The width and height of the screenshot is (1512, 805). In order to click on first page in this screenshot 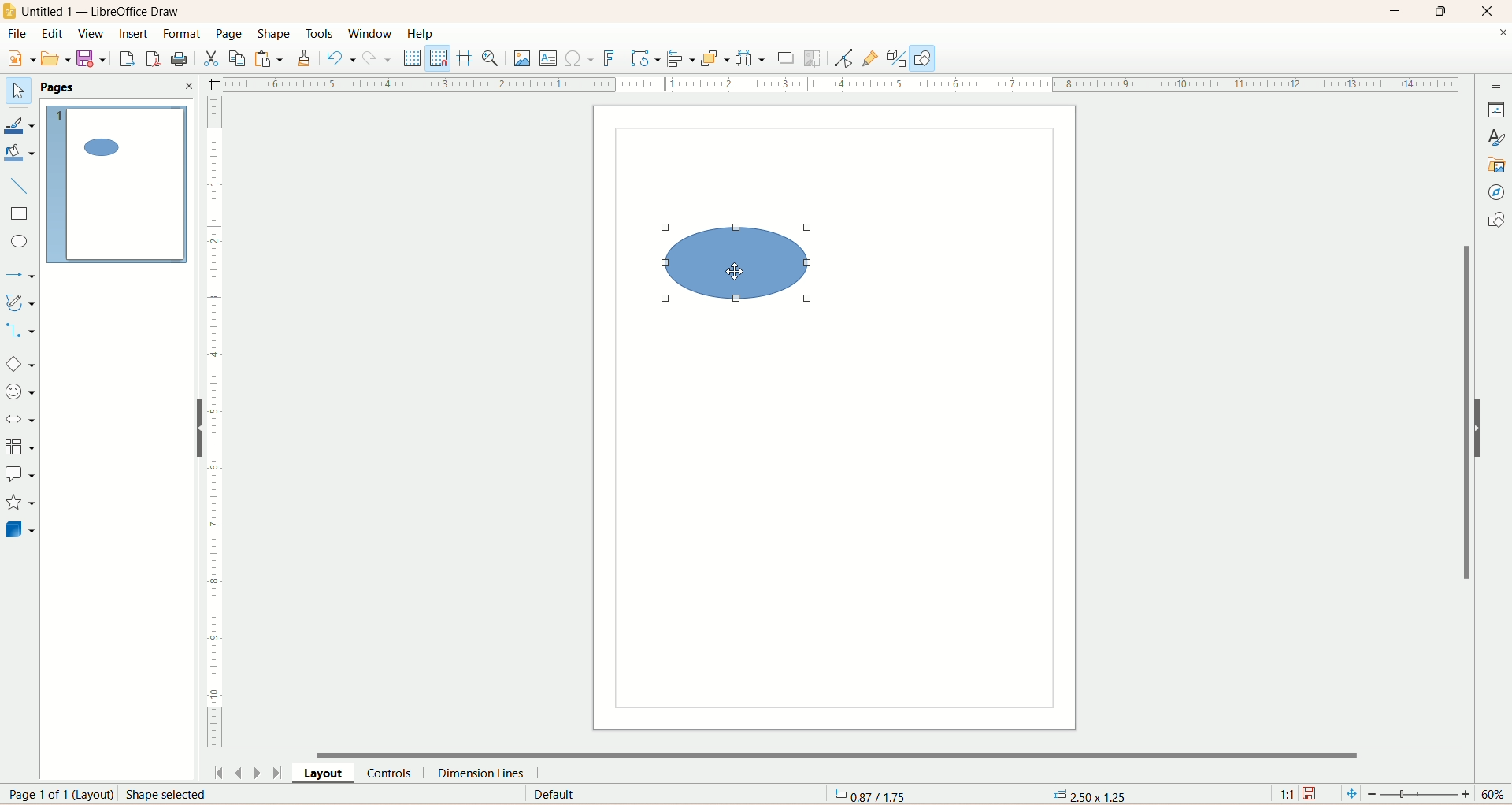, I will do `click(218, 770)`.